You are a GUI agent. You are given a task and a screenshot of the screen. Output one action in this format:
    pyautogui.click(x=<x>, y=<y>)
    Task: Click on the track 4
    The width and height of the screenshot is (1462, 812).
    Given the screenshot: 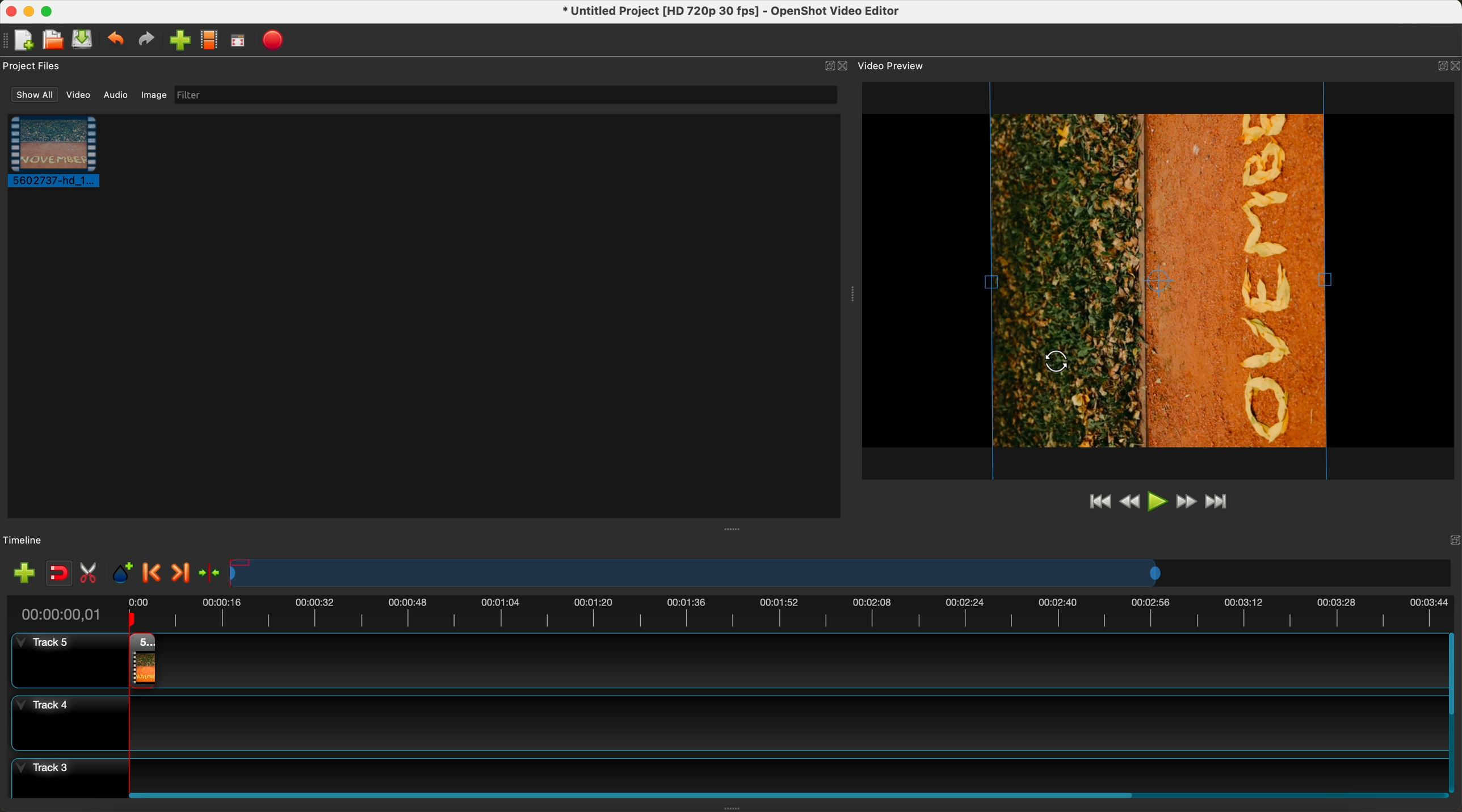 What is the action you would take?
    pyautogui.click(x=725, y=725)
    